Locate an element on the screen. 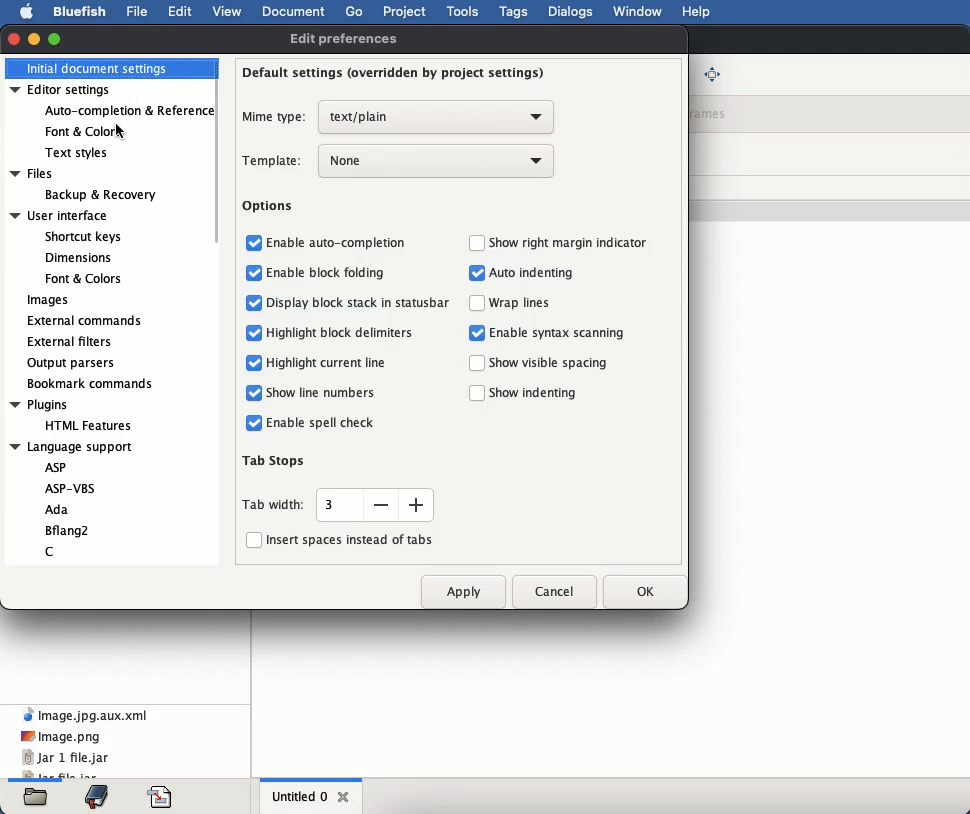  go is located at coordinates (355, 11).